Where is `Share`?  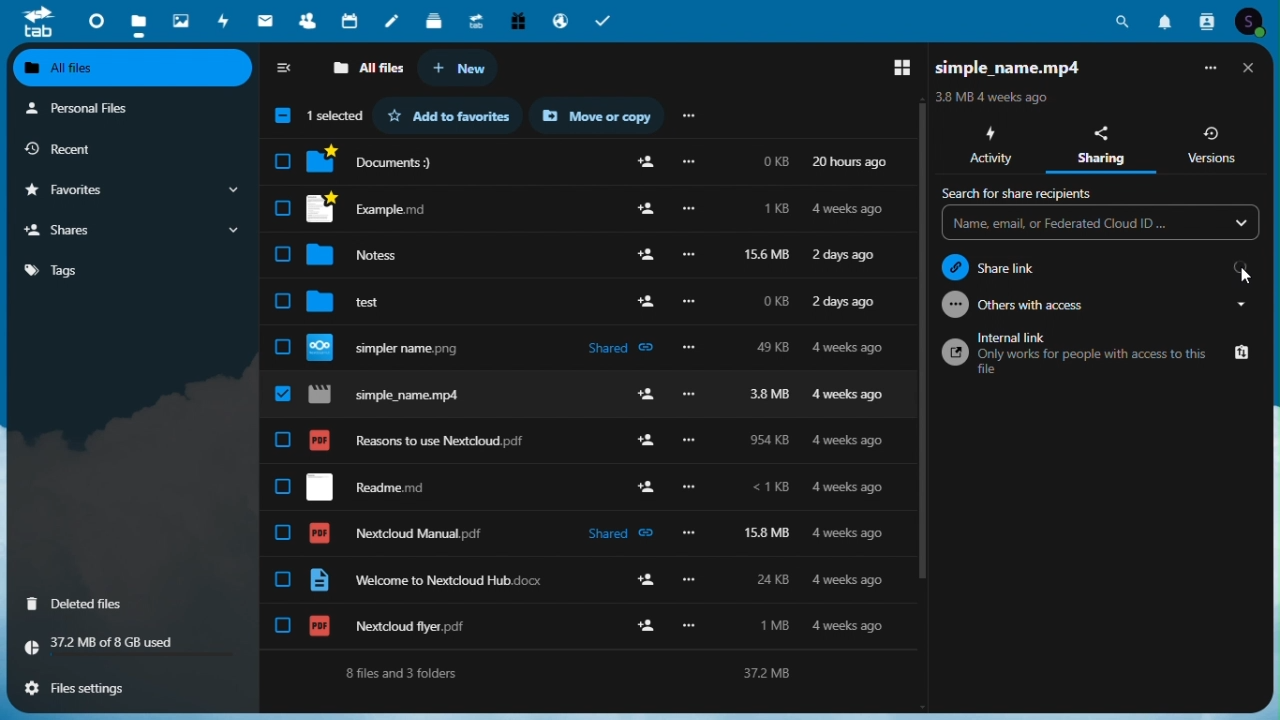 Share is located at coordinates (134, 231).